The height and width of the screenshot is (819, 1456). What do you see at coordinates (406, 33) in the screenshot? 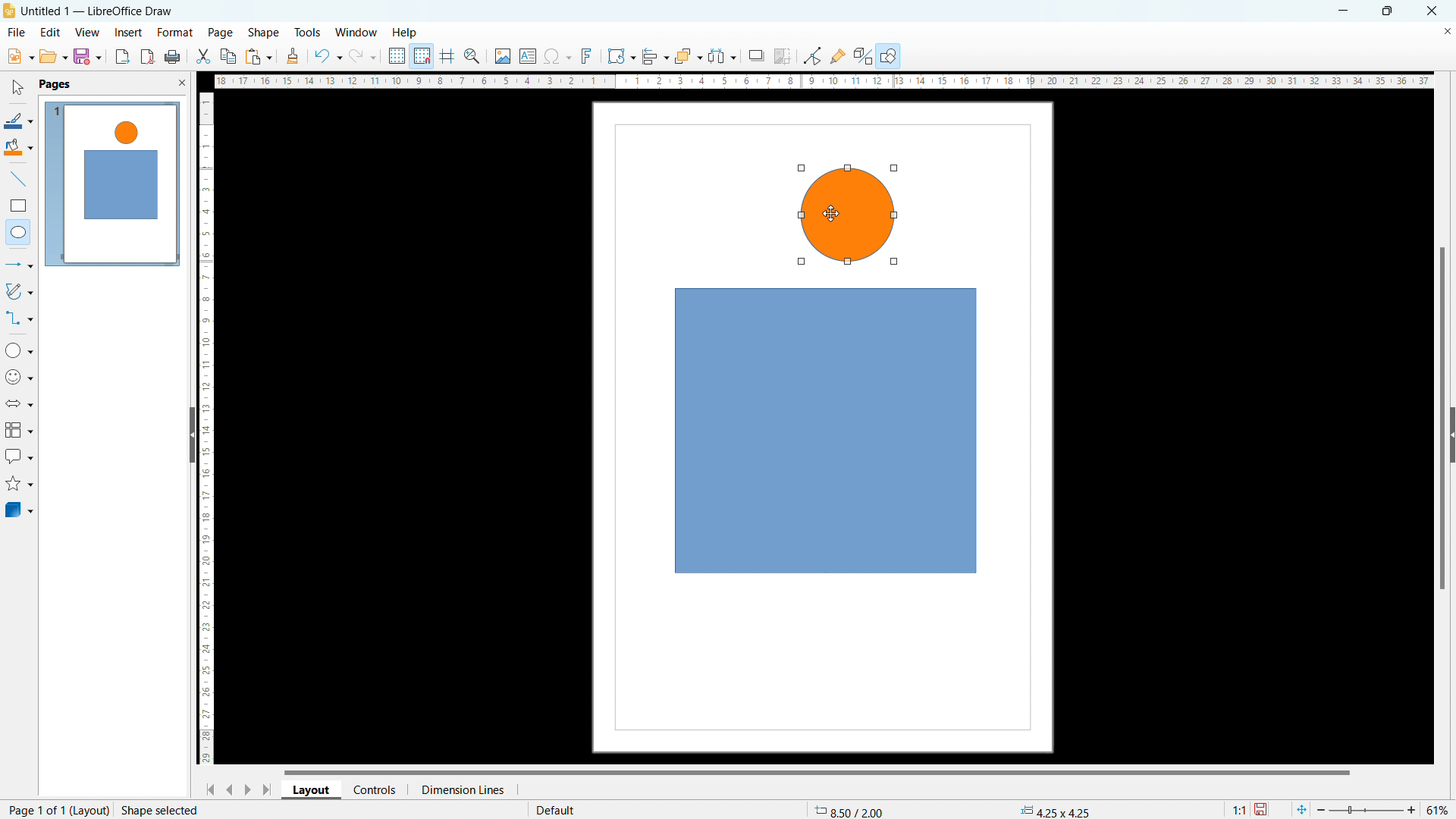
I see `help` at bounding box center [406, 33].